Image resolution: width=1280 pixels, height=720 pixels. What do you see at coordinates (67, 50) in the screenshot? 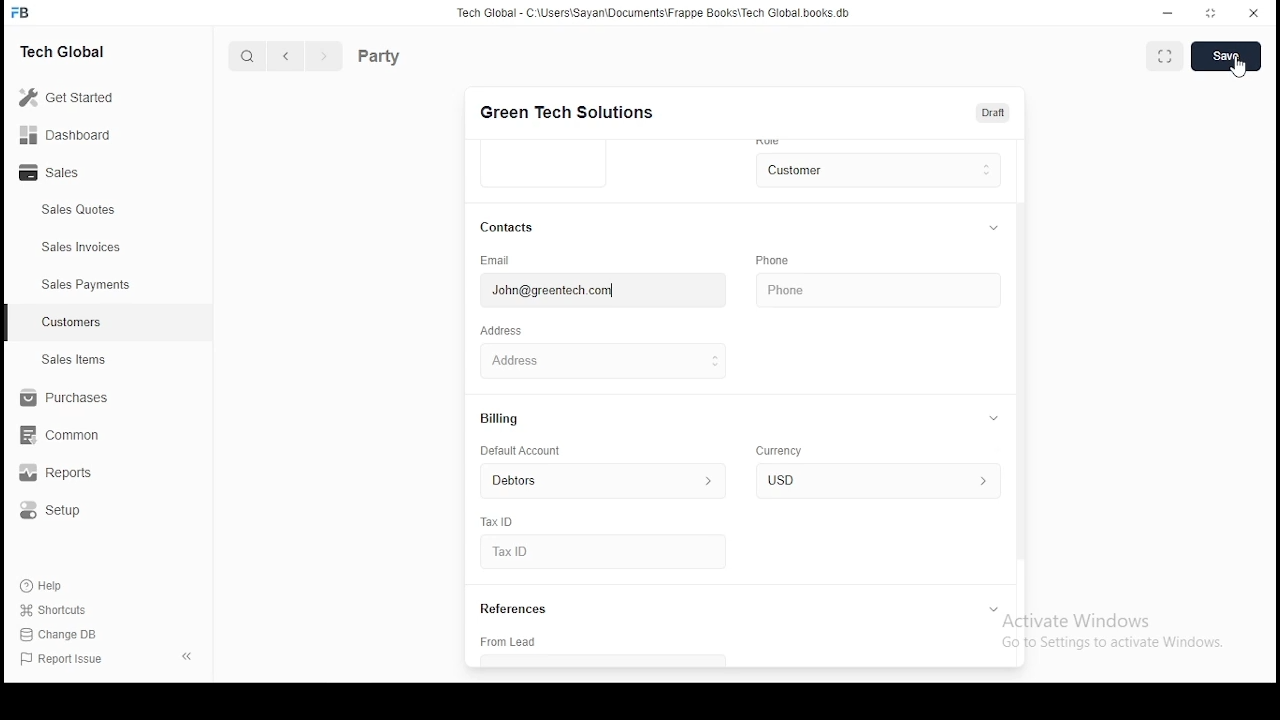
I see `tech global` at bounding box center [67, 50].